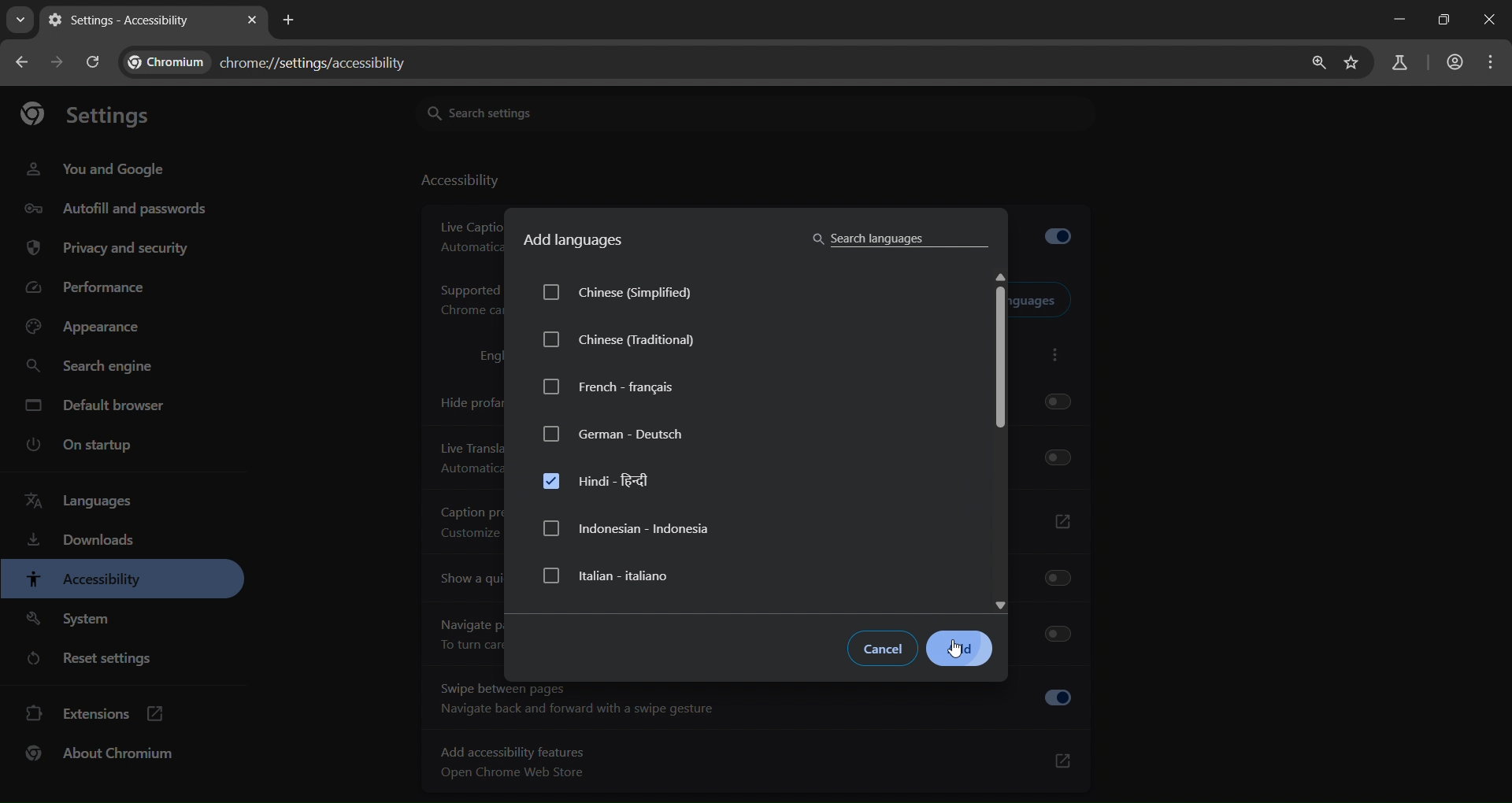 This screenshot has height=803, width=1512. I want to click on default browser, so click(97, 405).